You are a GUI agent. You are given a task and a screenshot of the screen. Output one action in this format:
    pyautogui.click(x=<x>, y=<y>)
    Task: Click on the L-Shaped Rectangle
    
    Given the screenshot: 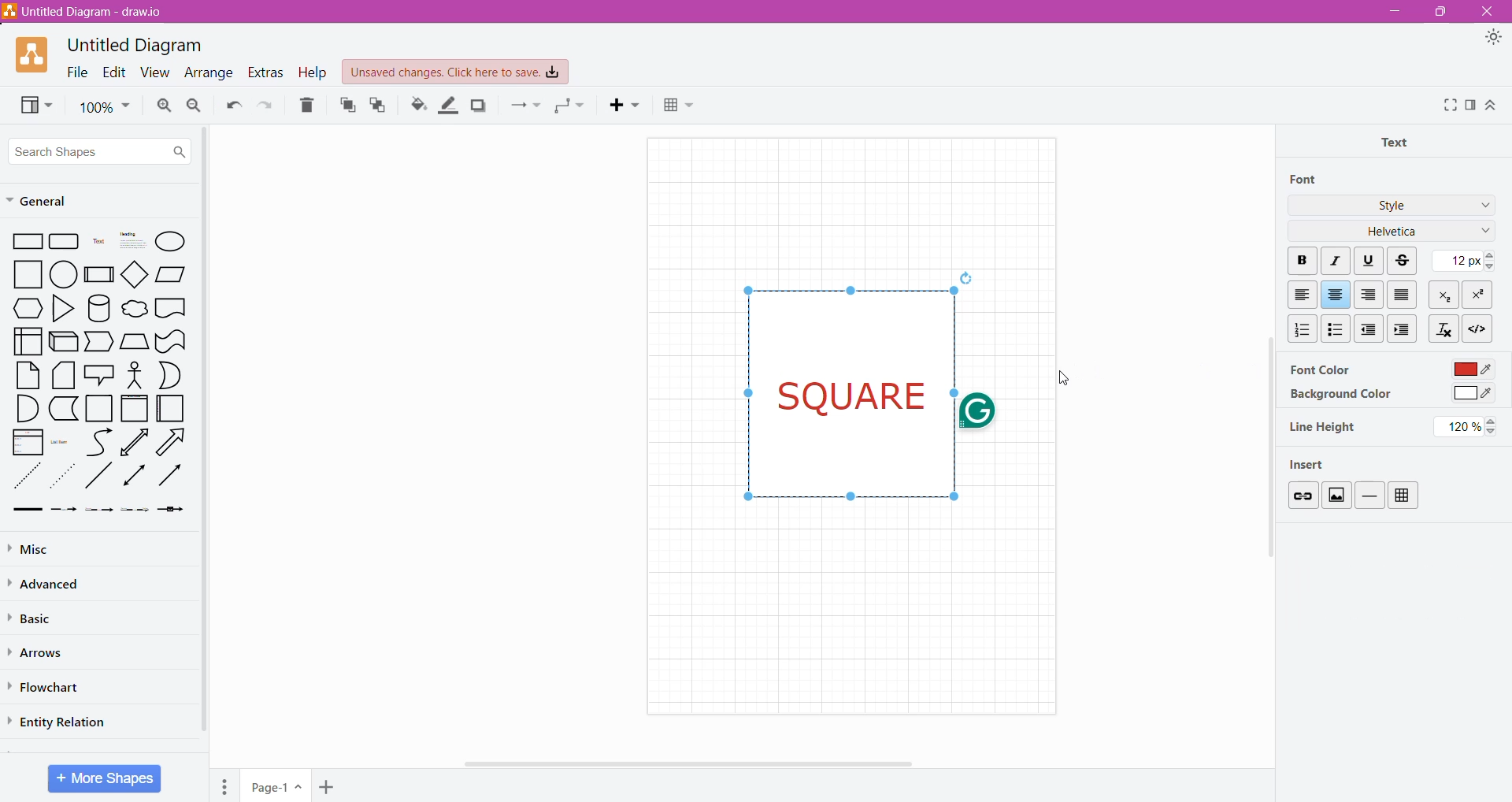 What is the action you would take?
    pyautogui.click(x=61, y=408)
    